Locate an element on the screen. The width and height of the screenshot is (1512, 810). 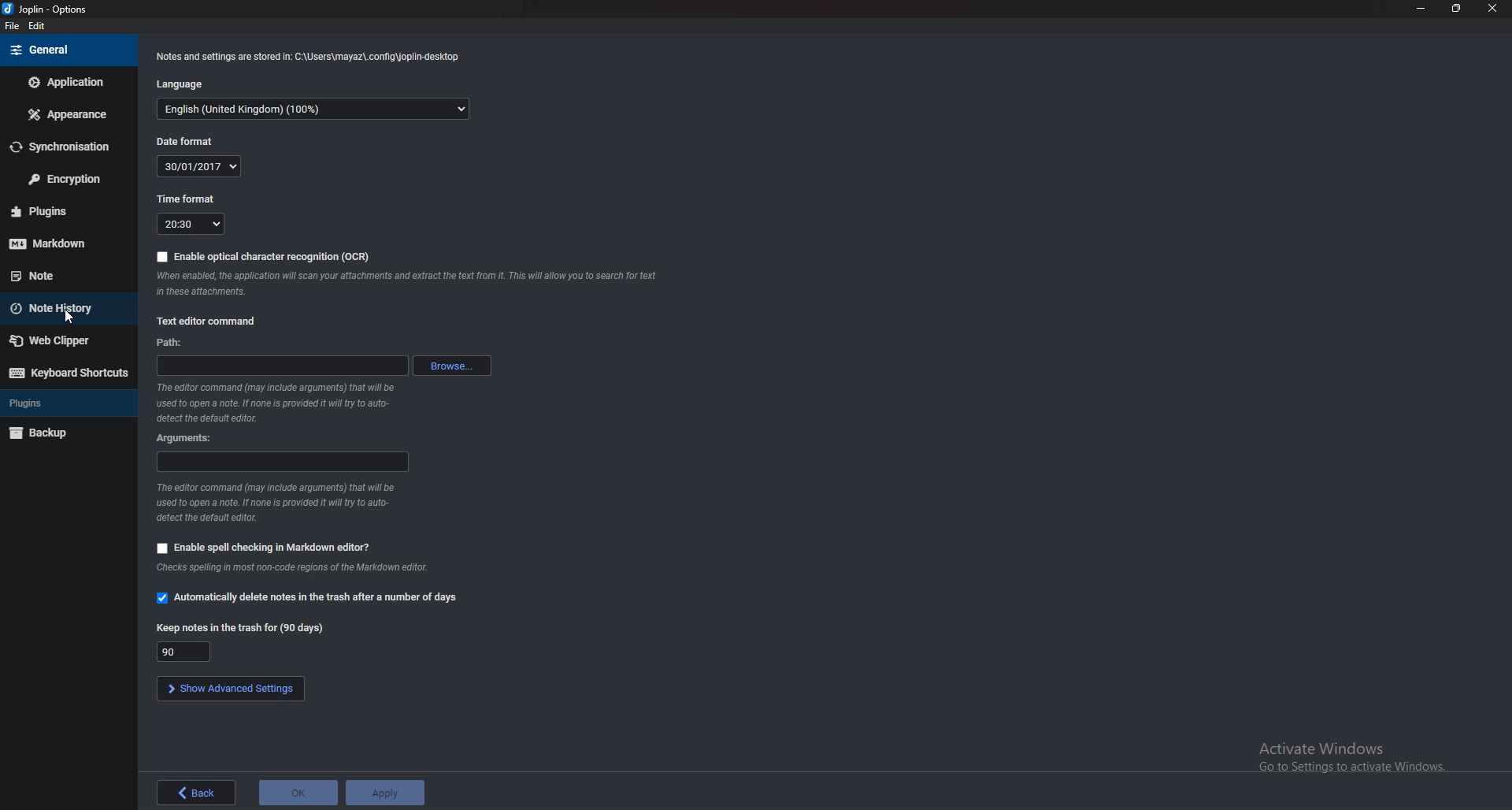
Info is located at coordinates (309, 56).